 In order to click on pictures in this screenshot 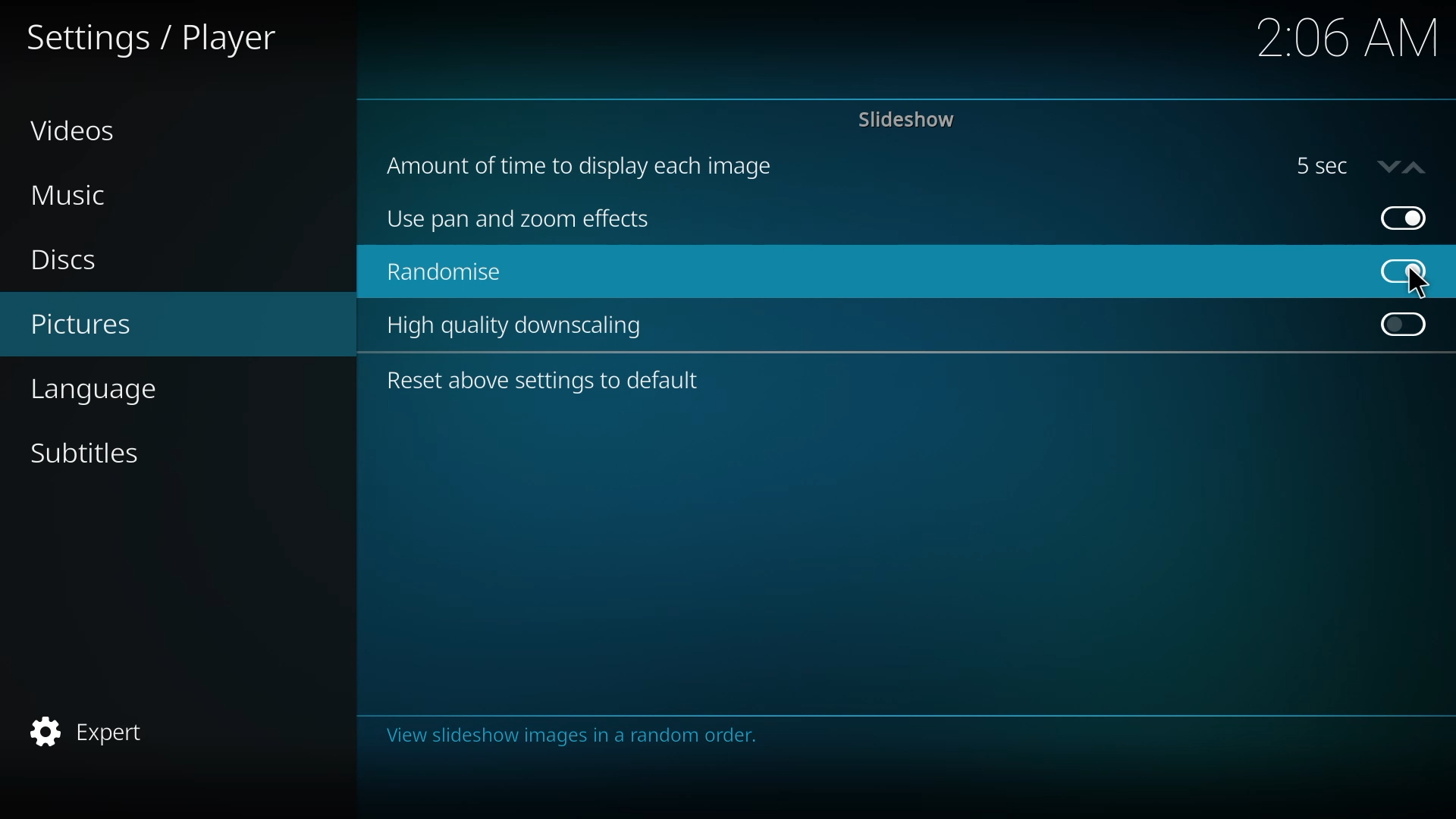, I will do `click(80, 322)`.